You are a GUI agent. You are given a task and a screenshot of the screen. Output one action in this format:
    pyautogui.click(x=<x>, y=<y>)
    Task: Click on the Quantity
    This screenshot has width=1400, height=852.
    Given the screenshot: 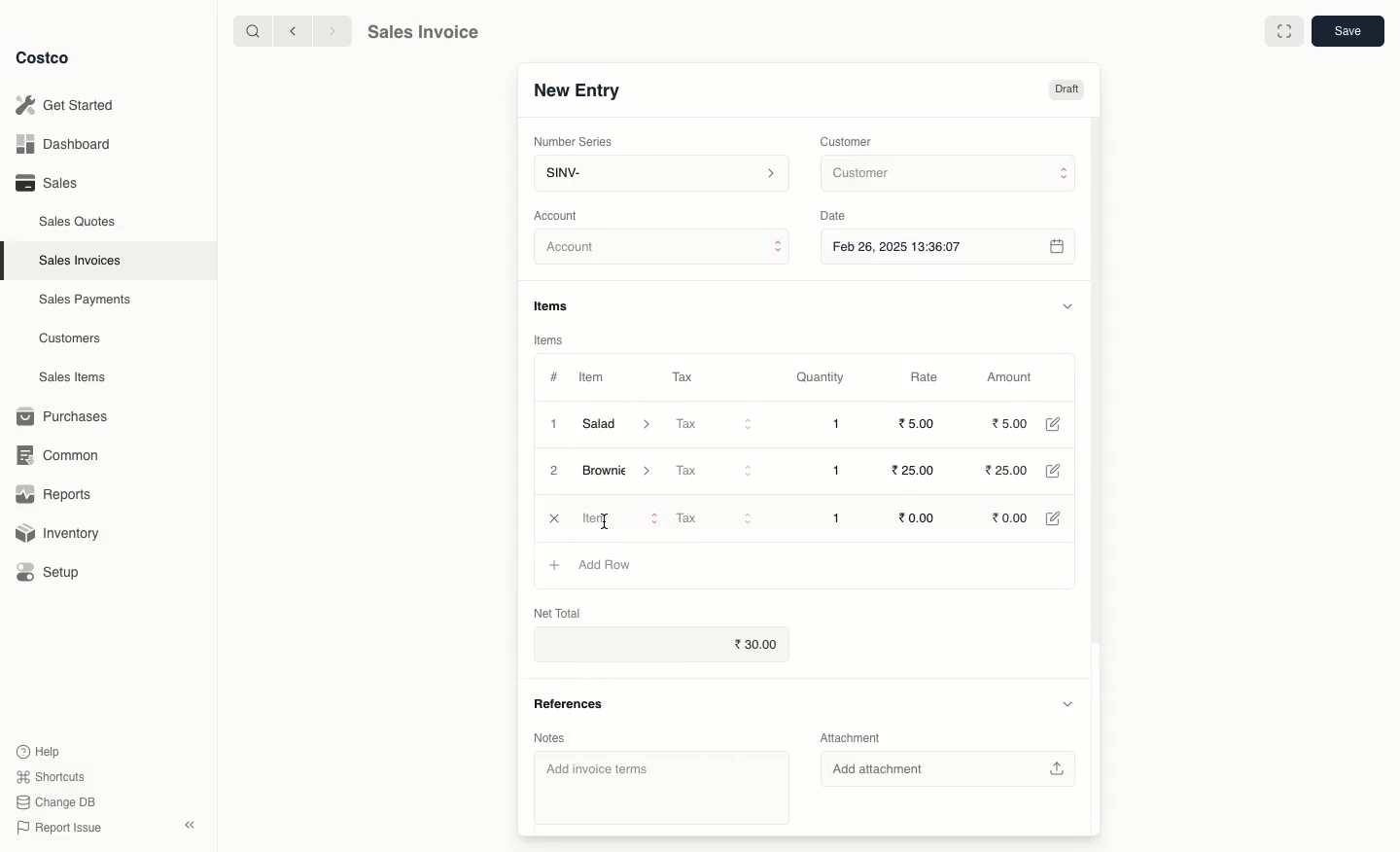 What is the action you would take?
    pyautogui.click(x=819, y=378)
    